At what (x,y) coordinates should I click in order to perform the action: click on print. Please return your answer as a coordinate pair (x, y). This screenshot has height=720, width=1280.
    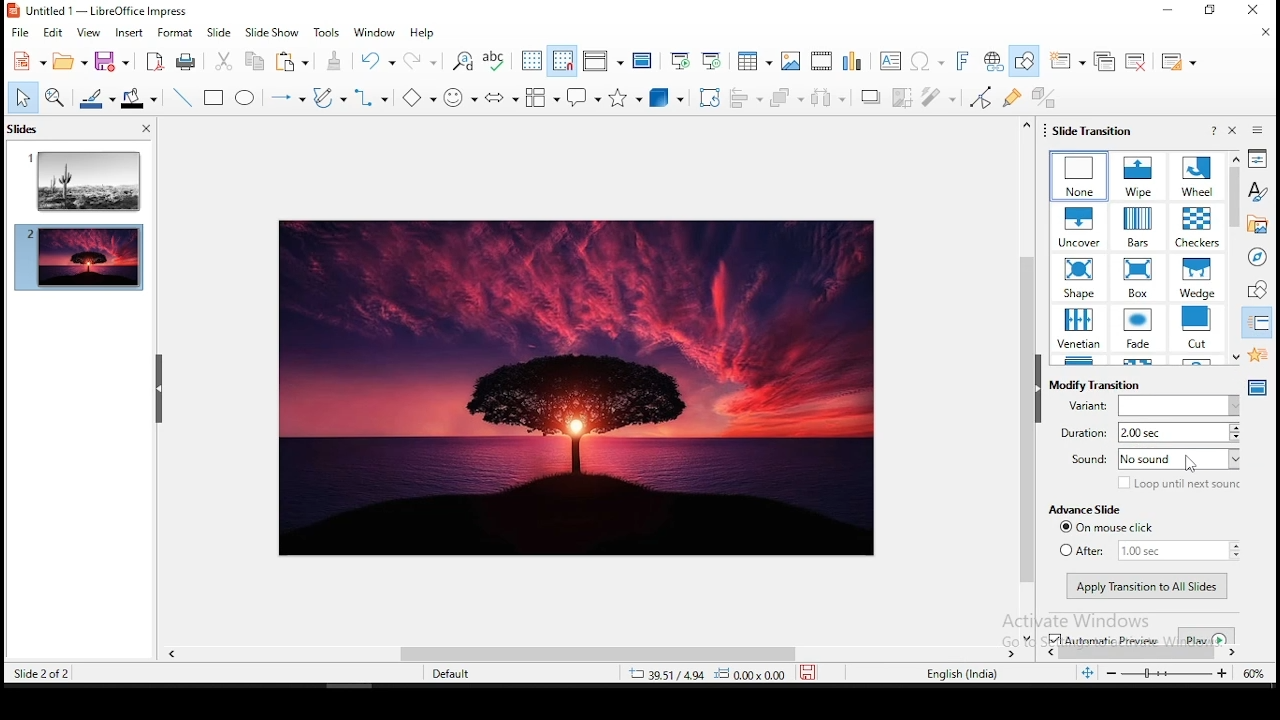
    Looking at the image, I should click on (187, 61).